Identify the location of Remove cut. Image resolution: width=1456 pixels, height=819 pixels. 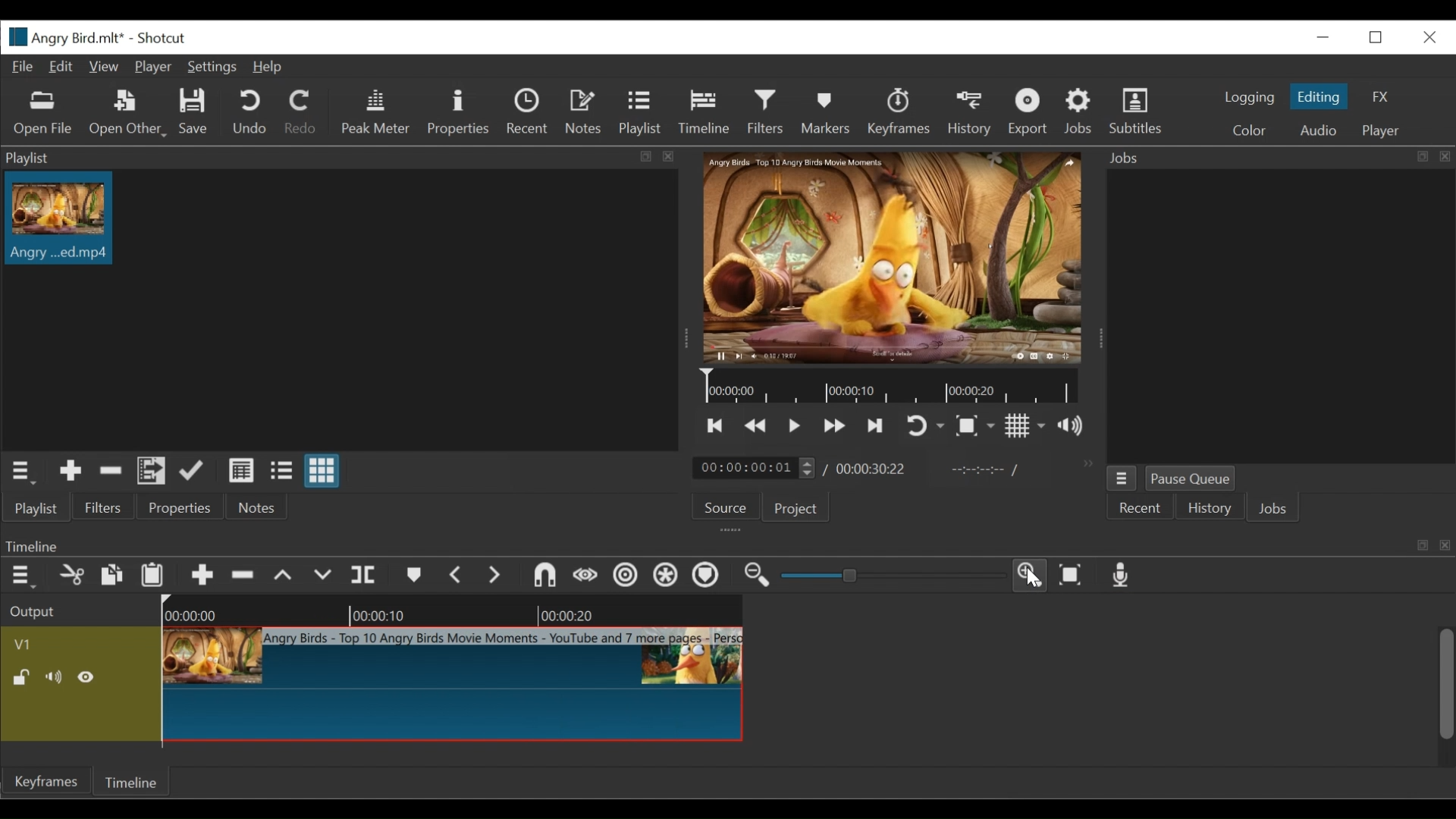
(111, 472).